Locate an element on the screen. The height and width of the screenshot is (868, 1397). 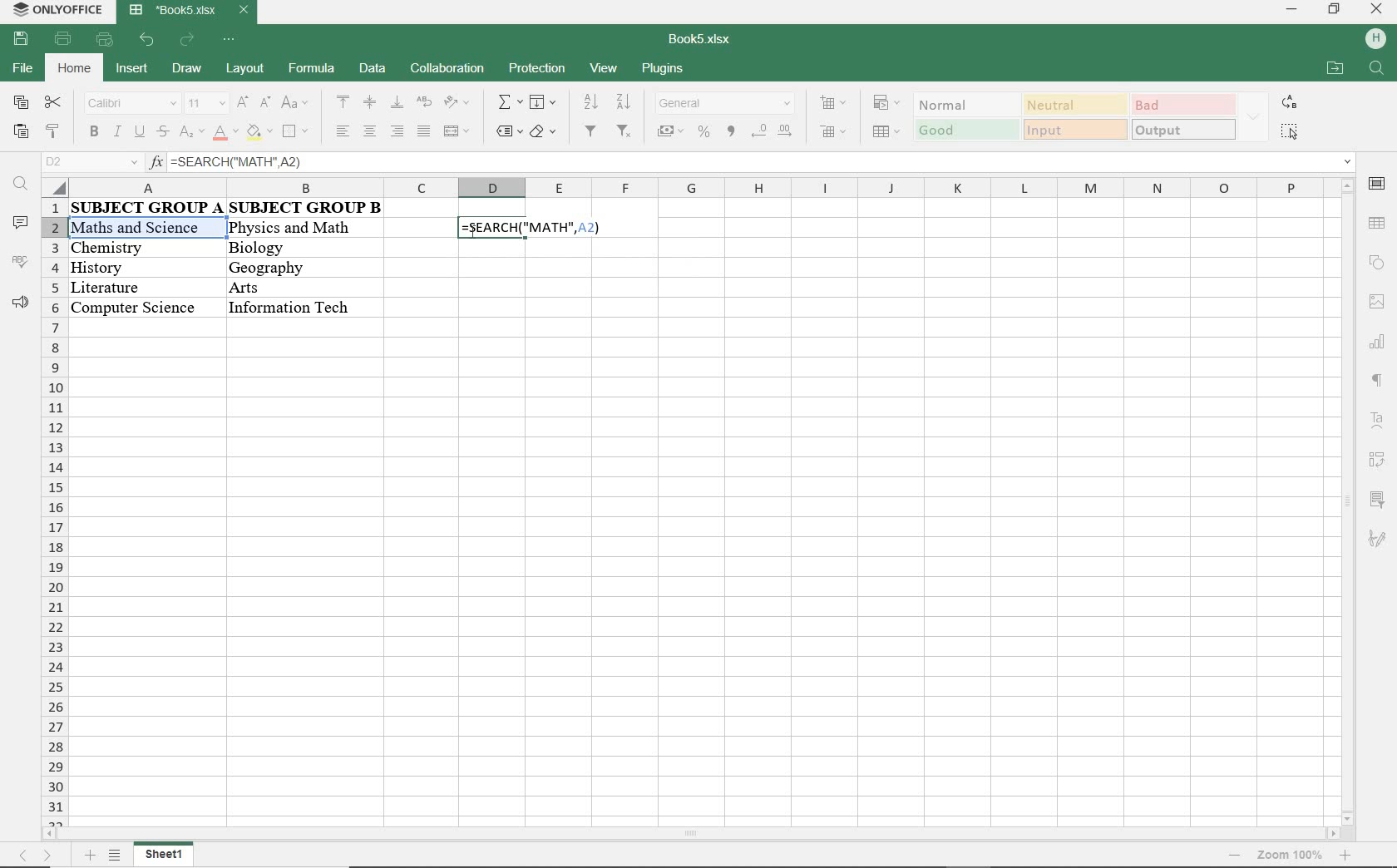
merge & center is located at coordinates (457, 133).